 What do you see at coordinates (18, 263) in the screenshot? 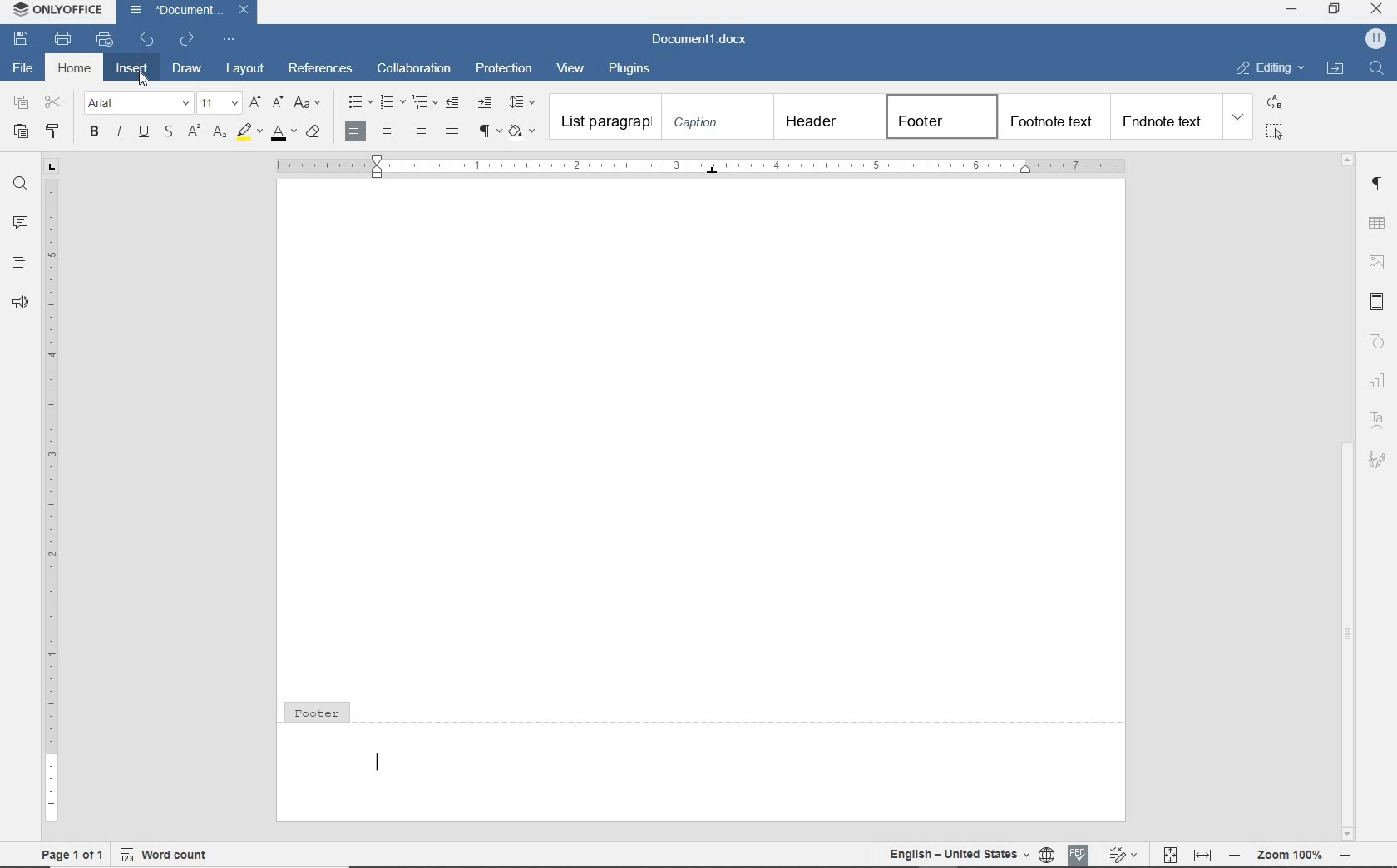
I see `headings` at bounding box center [18, 263].